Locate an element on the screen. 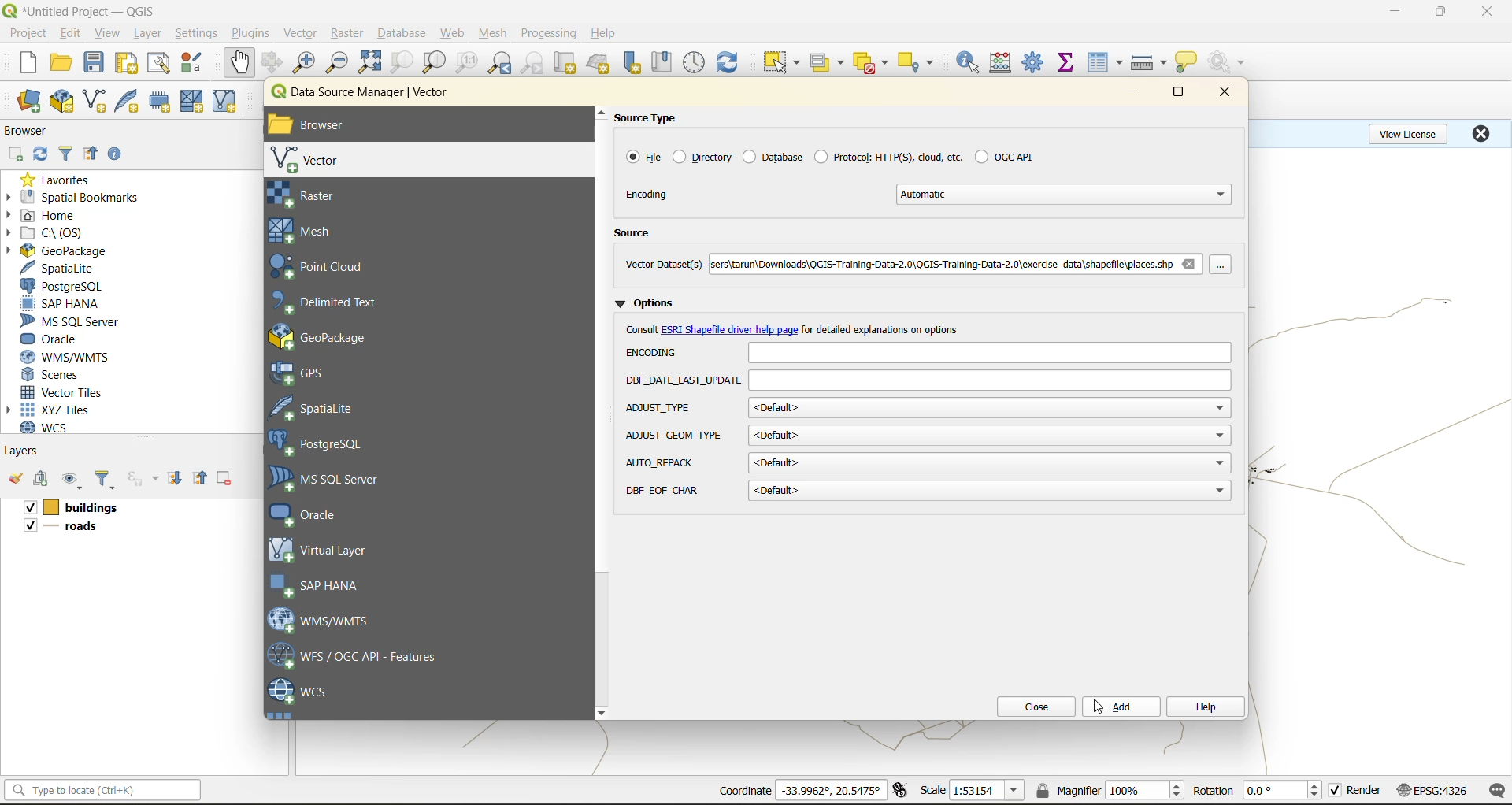 This screenshot has width=1512, height=805. open is located at coordinates (61, 63).